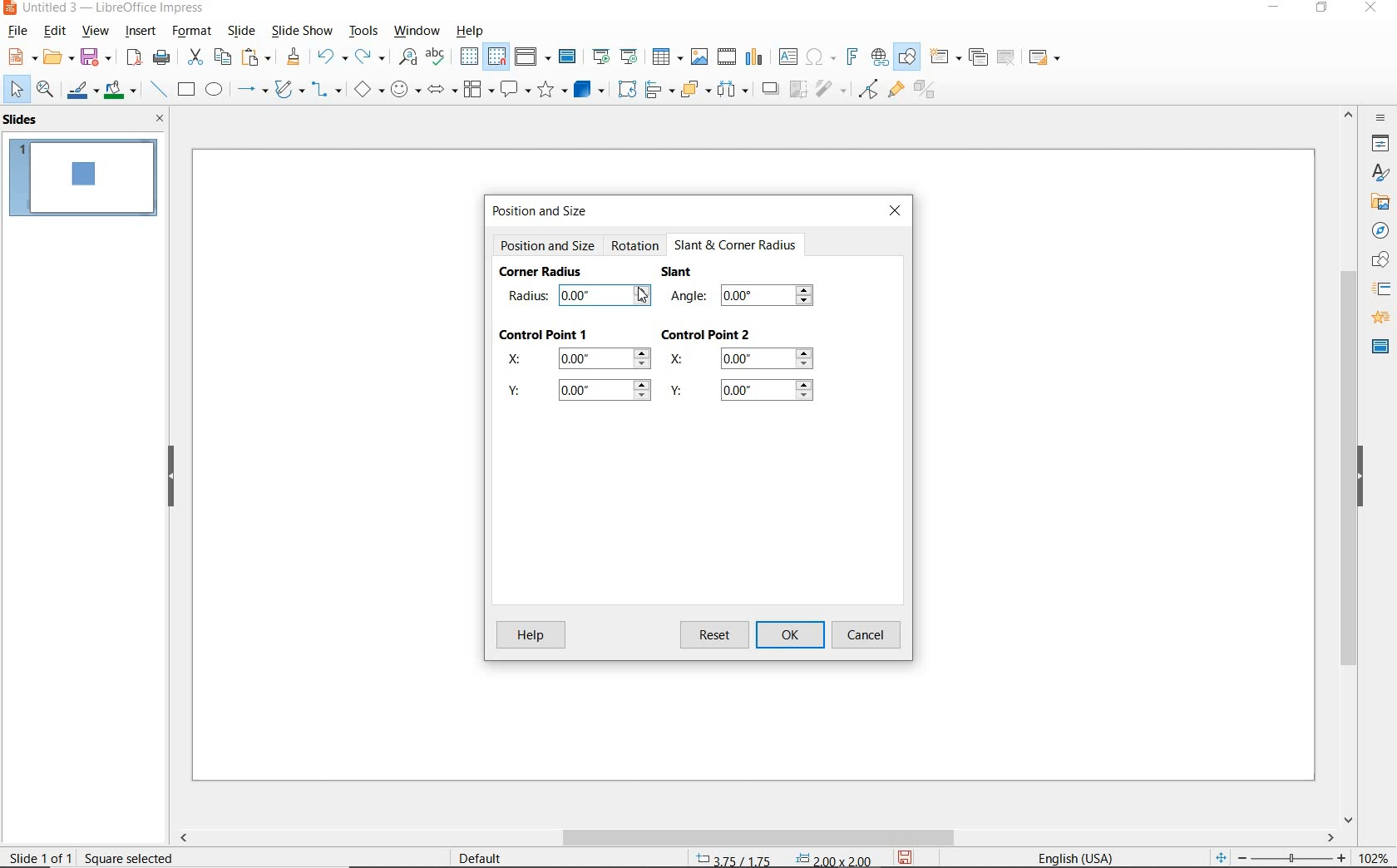 The image size is (1397, 868). What do you see at coordinates (251, 90) in the screenshot?
I see `lines and arrows` at bounding box center [251, 90].